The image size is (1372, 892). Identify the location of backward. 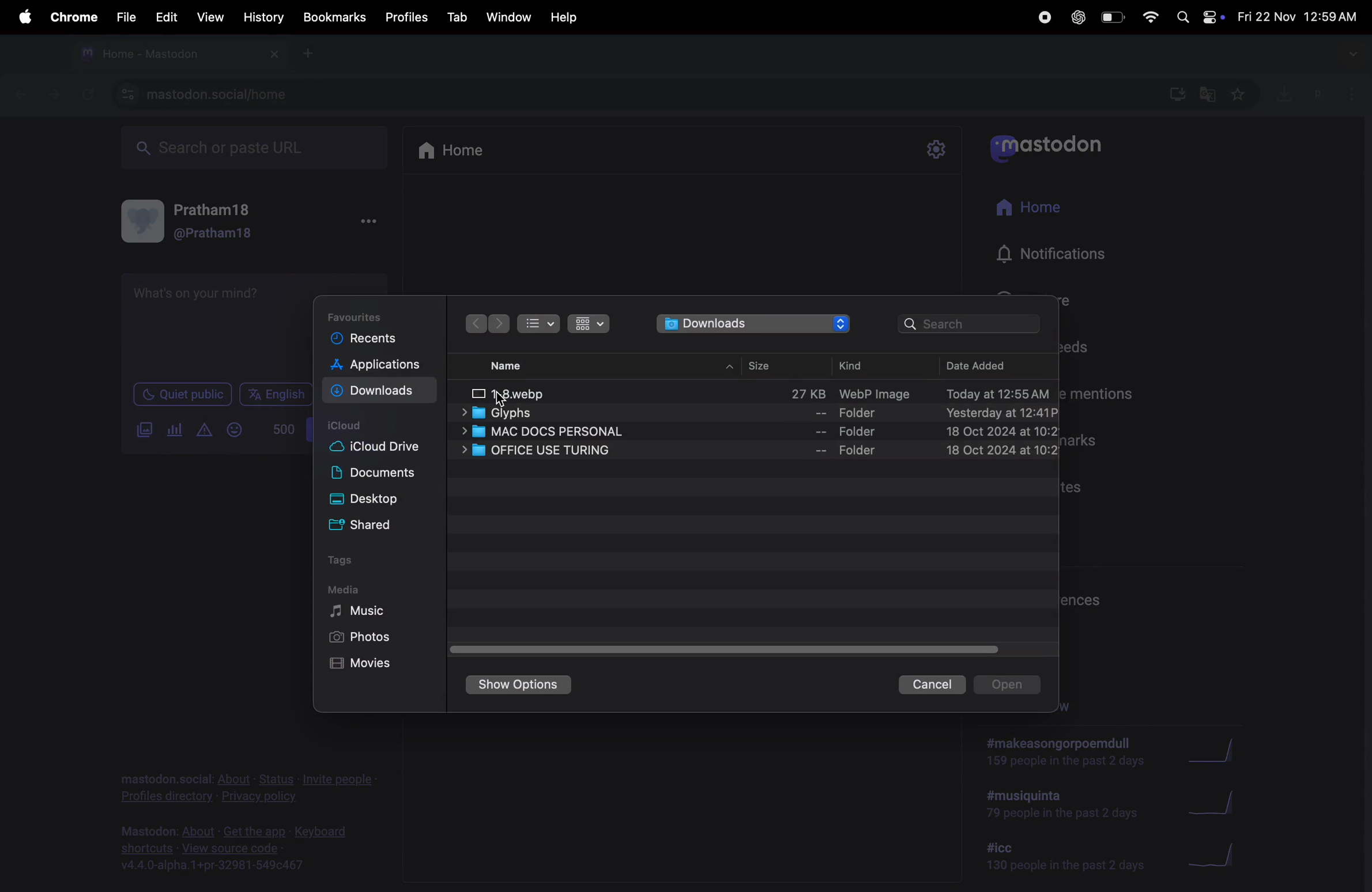
(501, 323).